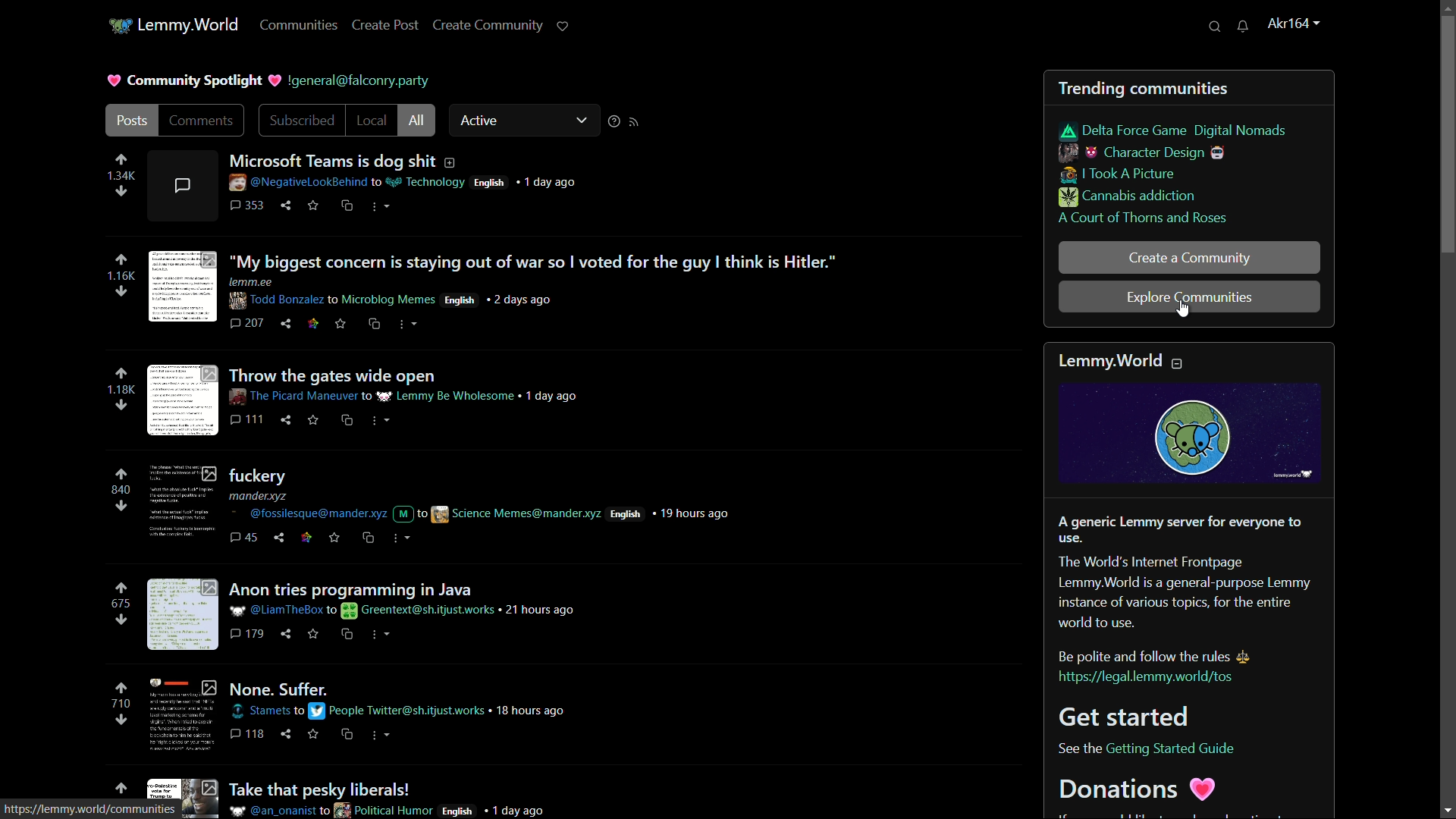 This screenshot has width=1456, height=819. What do you see at coordinates (1118, 175) in the screenshot?
I see `i took a picture` at bounding box center [1118, 175].